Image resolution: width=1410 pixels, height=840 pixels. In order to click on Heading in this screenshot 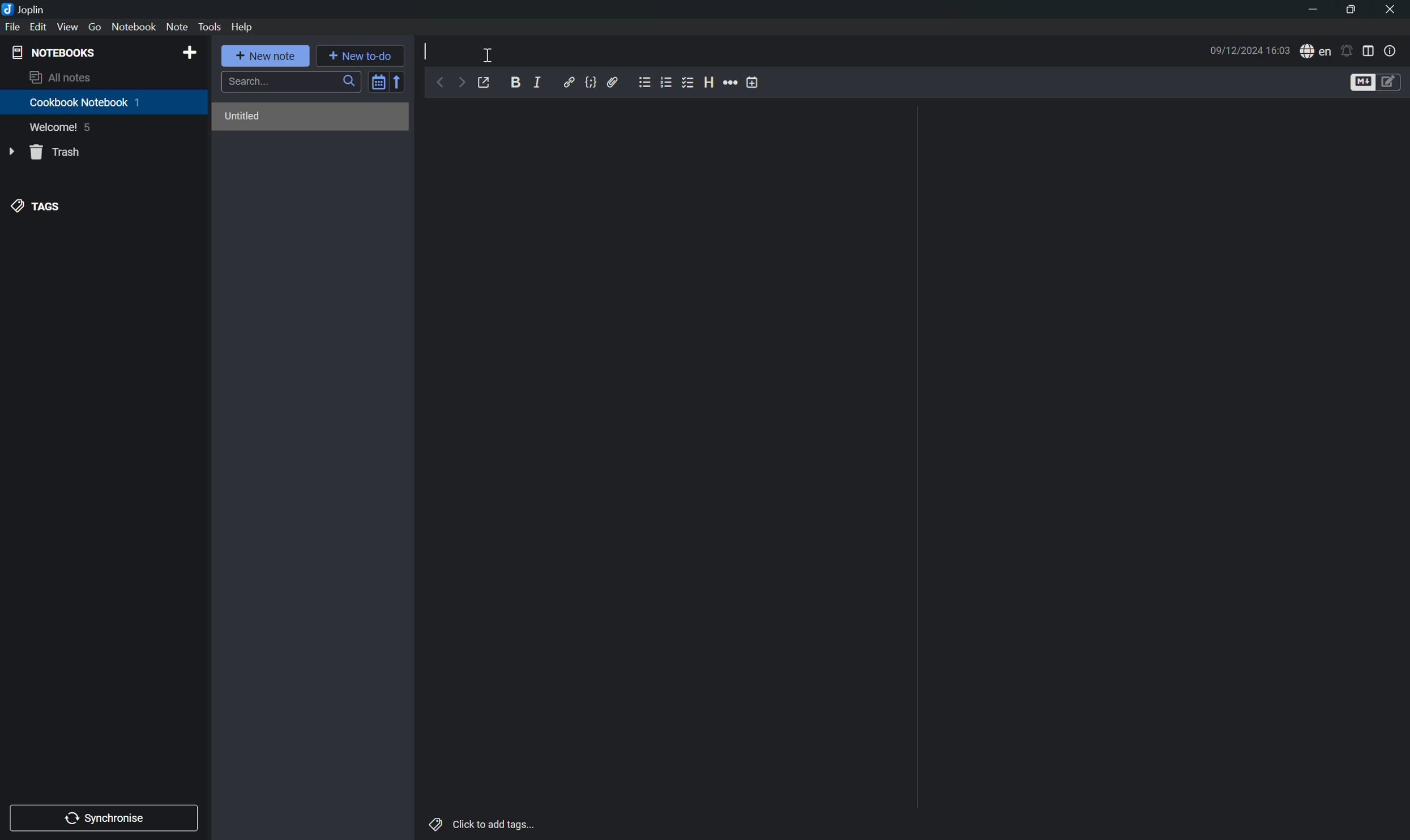, I will do `click(710, 80)`.